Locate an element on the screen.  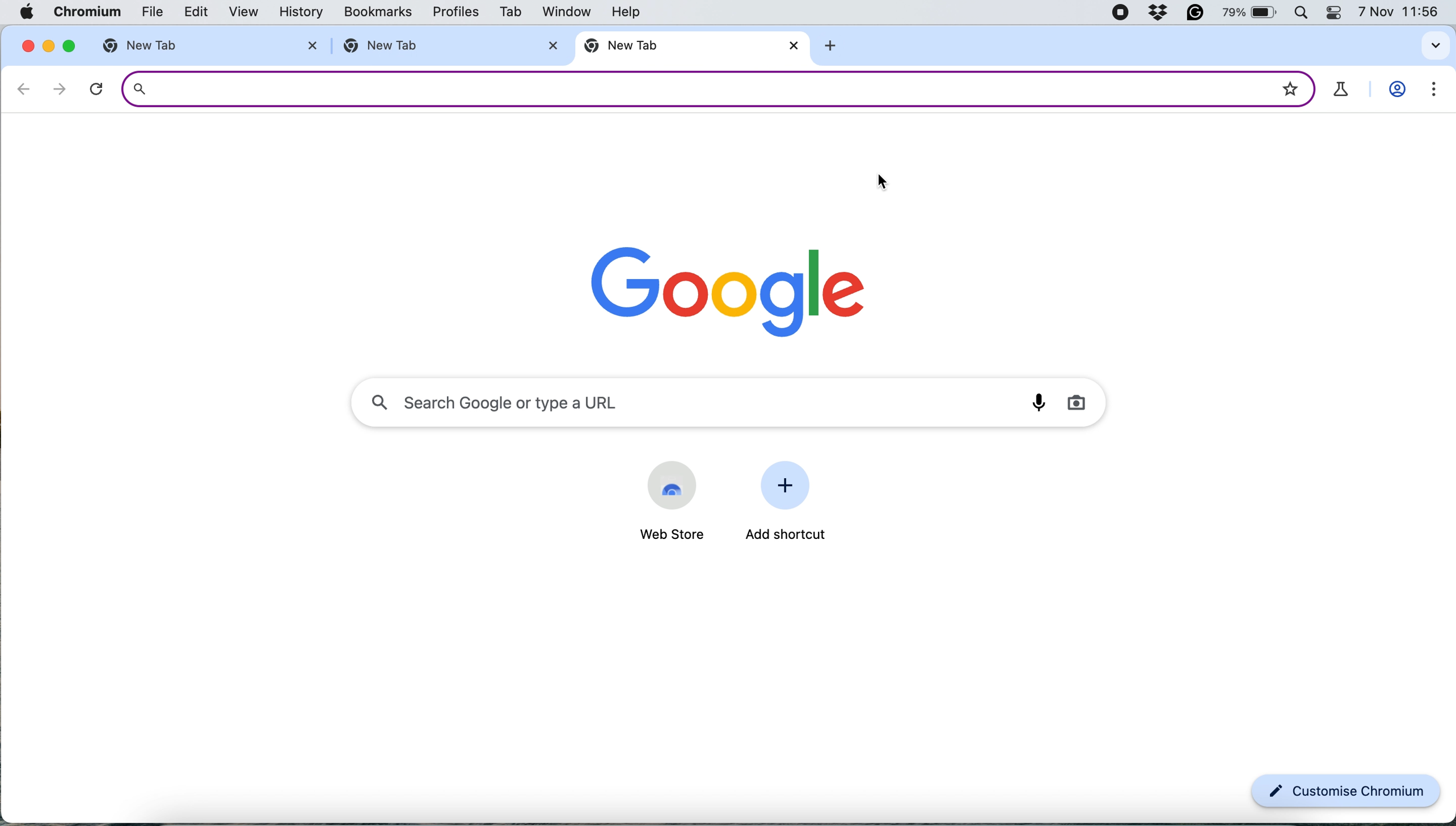
new tab is located at coordinates (166, 46).